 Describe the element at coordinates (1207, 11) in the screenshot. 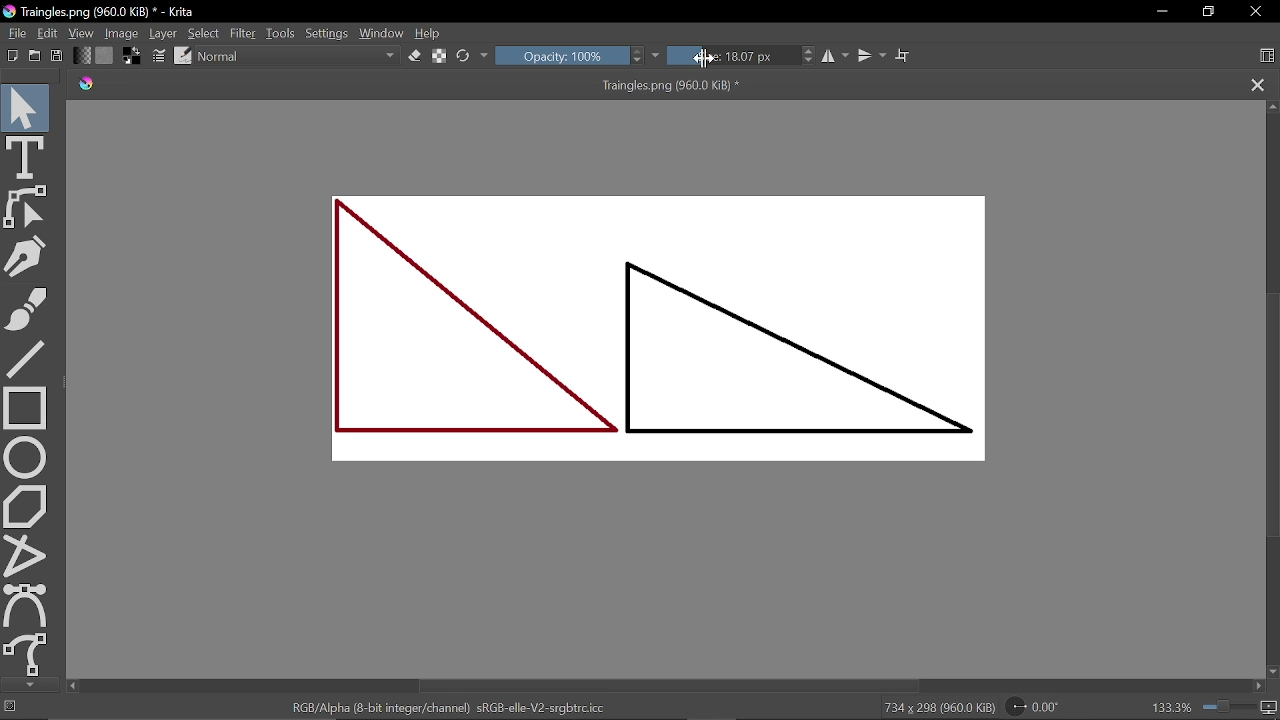

I see `Restore down` at that location.